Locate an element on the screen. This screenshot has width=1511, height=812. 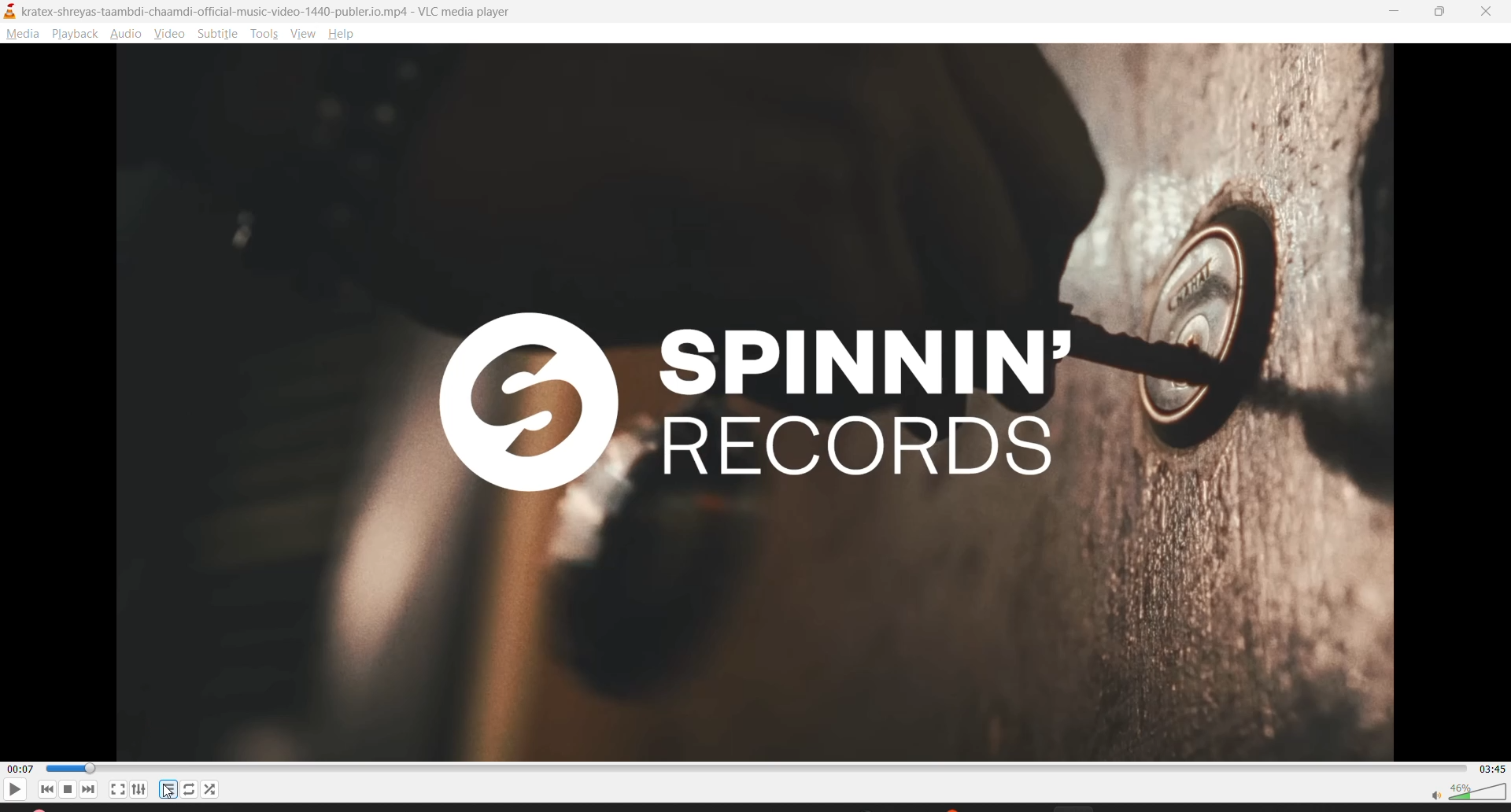
screen preview is located at coordinates (778, 401).